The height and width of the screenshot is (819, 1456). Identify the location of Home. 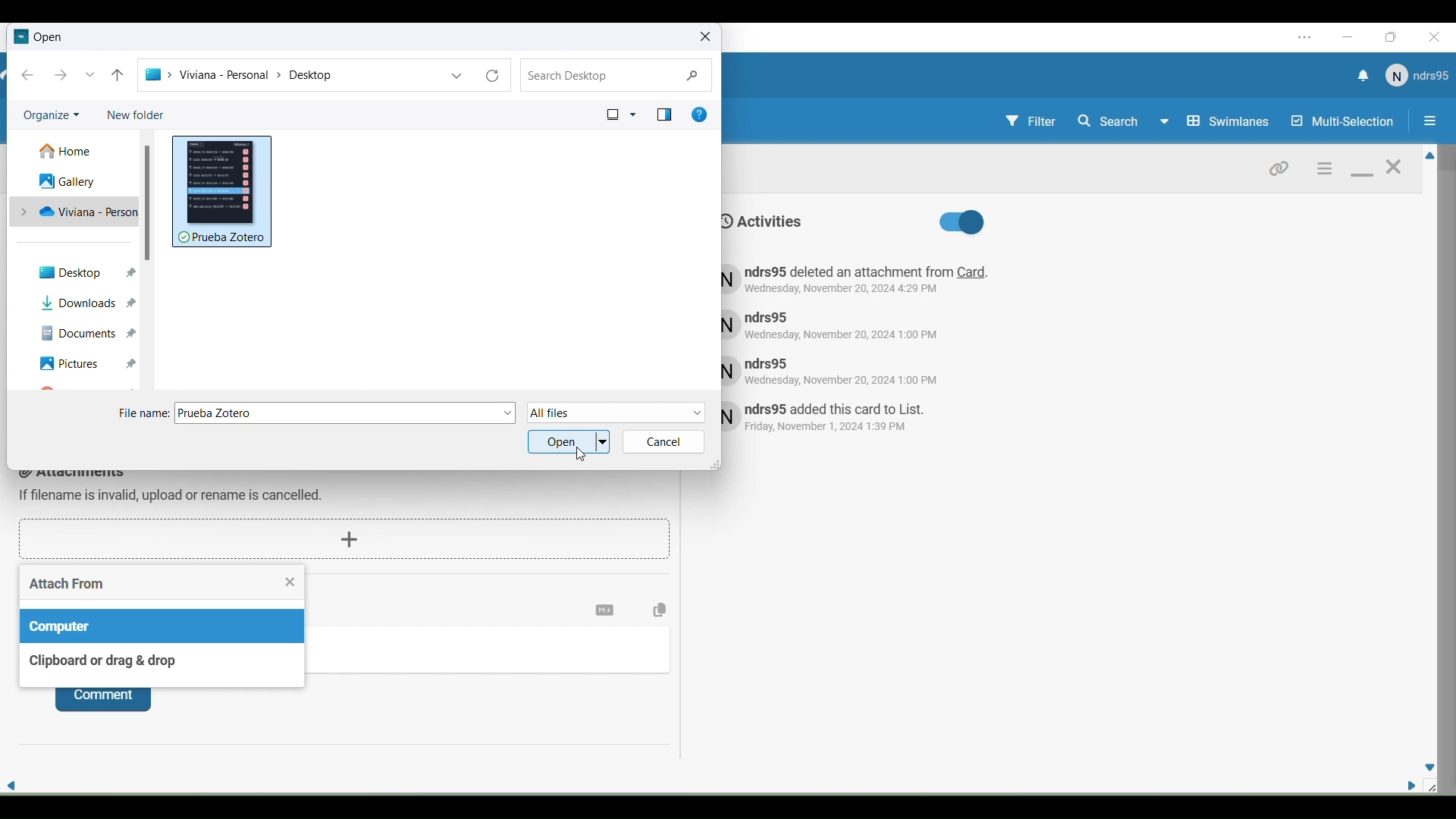
(73, 152).